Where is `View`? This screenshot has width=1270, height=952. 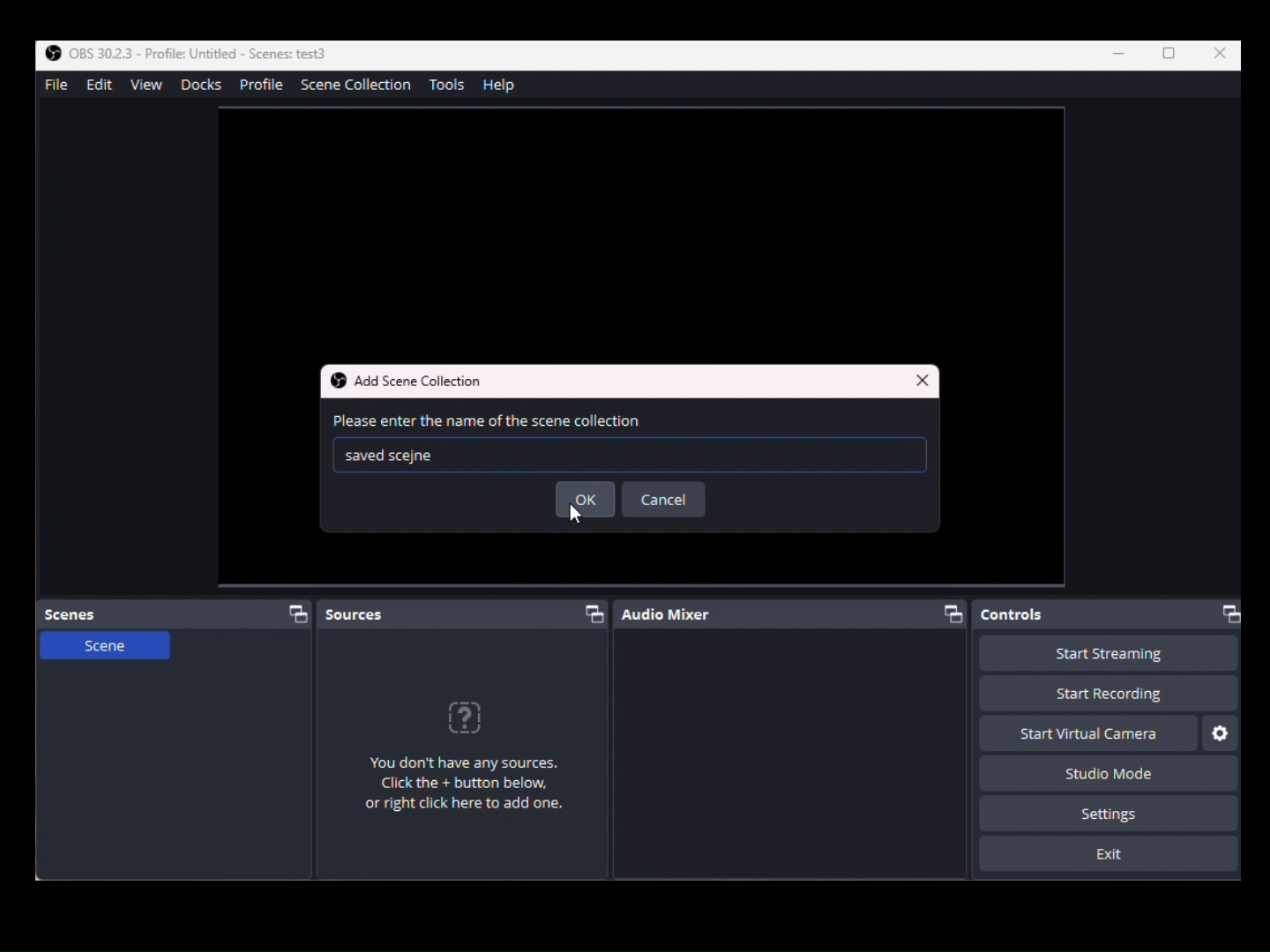 View is located at coordinates (150, 86).